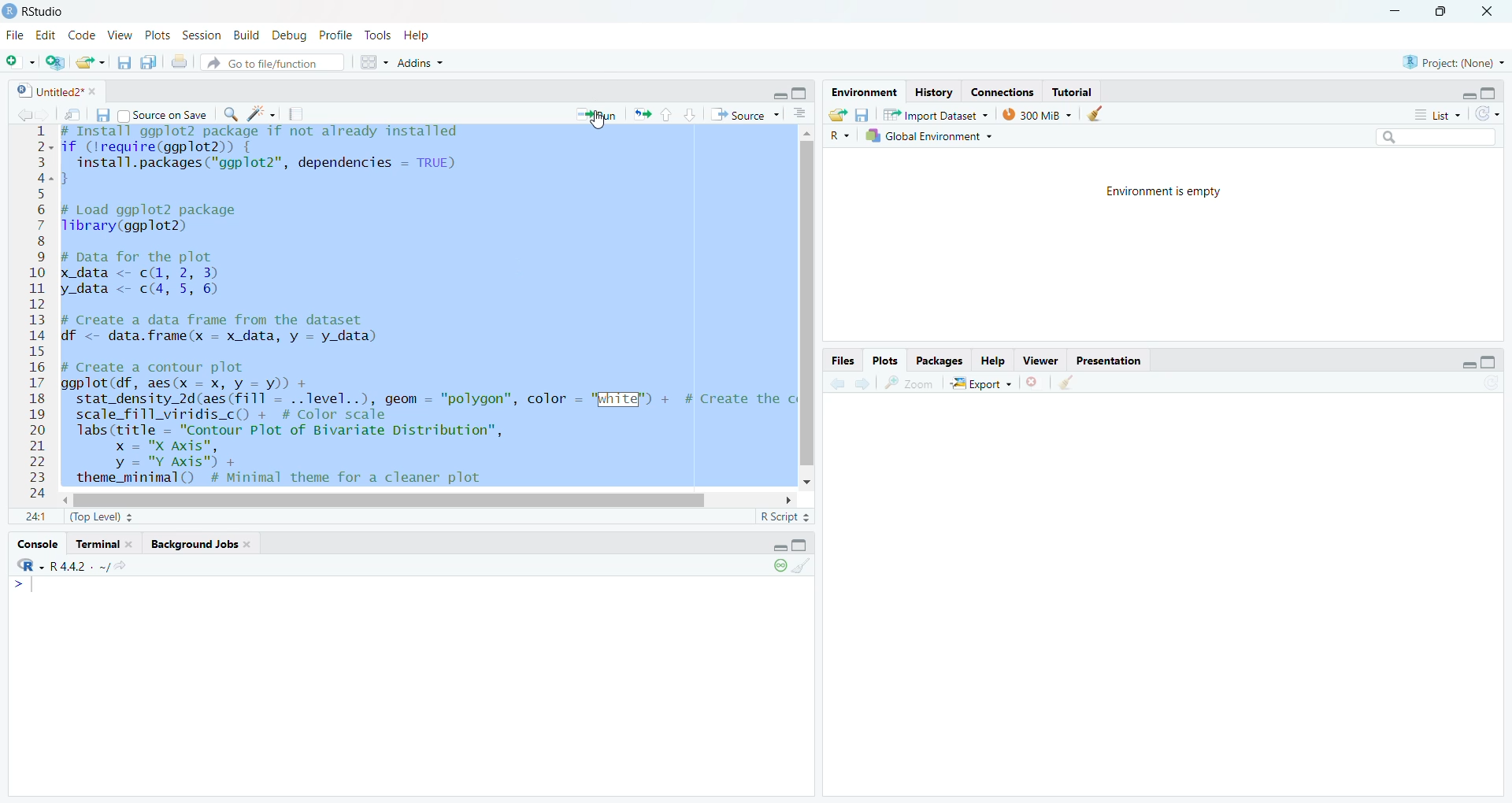  I want to click on Profile, so click(337, 35).